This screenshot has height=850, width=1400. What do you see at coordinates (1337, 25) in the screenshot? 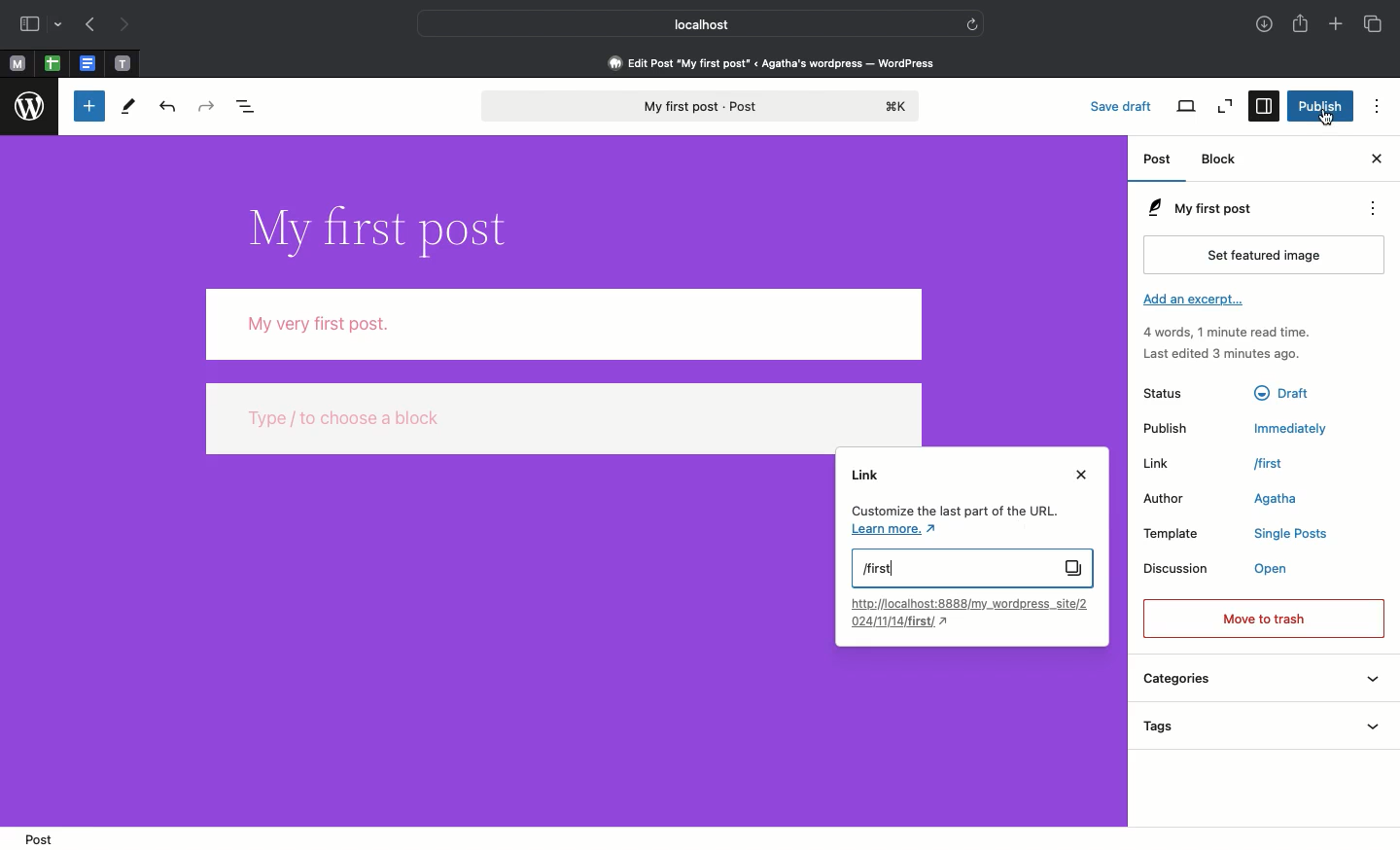
I see `Add new tab` at bounding box center [1337, 25].